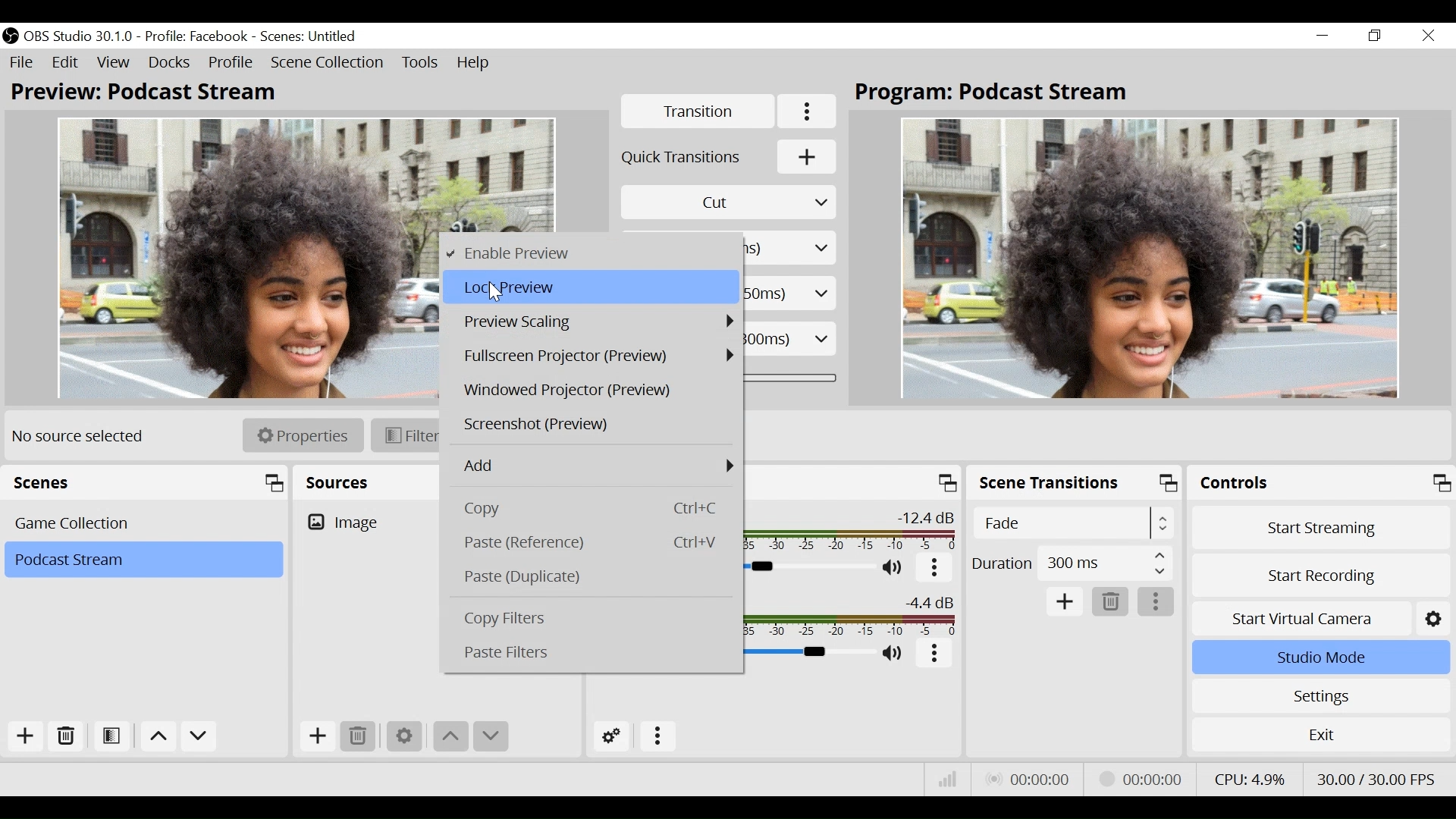 The height and width of the screenshot is (819, 1456). I want to click on Add, so click(1063, 601).